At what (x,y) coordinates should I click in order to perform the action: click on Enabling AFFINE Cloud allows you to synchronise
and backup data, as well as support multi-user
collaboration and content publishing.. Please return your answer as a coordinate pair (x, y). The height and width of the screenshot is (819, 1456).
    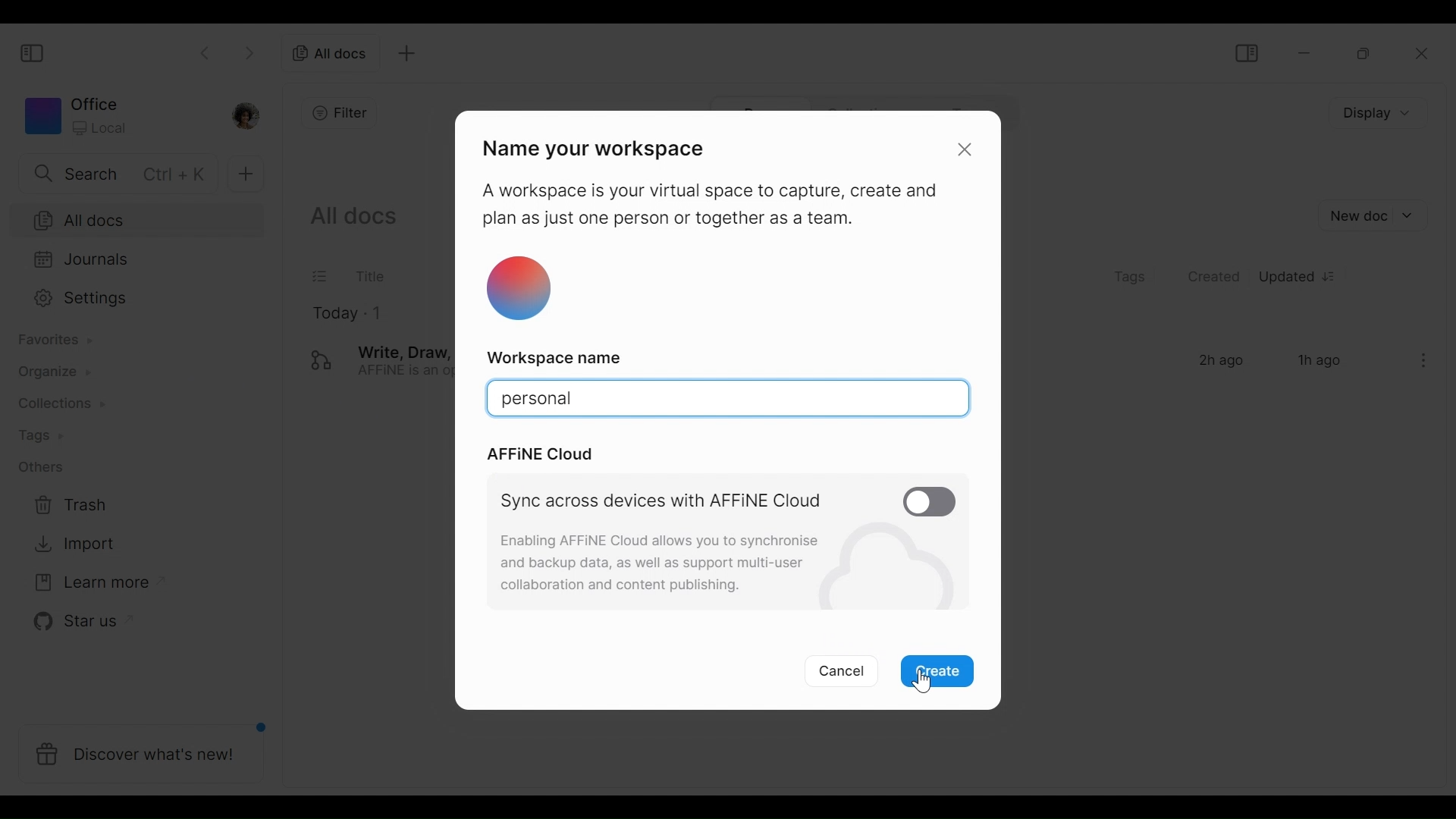
    Looking at the image, I should click on (655, 560).